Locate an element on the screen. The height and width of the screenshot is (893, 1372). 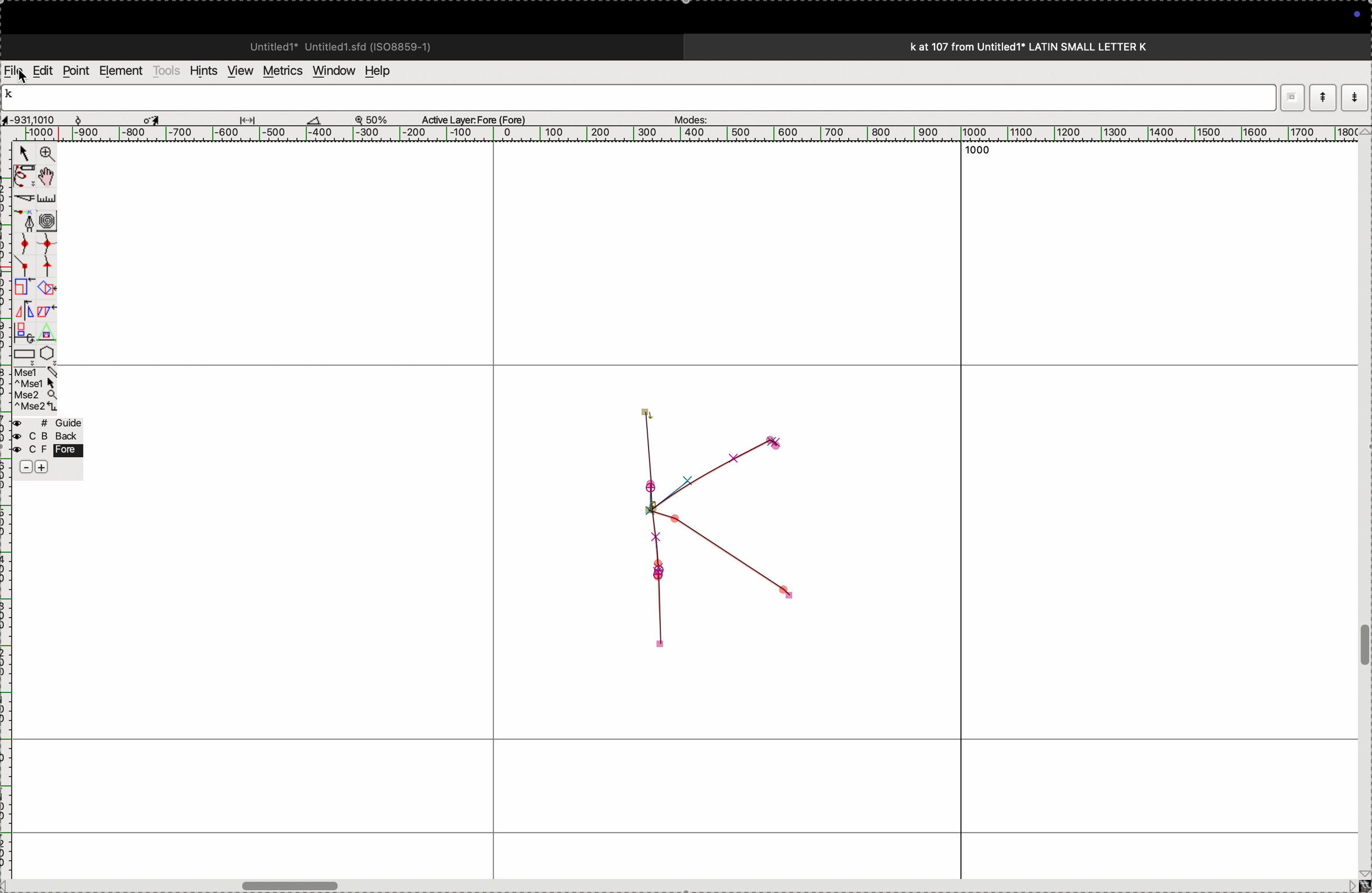
horizontal scale is located at coordinates (673, 134).